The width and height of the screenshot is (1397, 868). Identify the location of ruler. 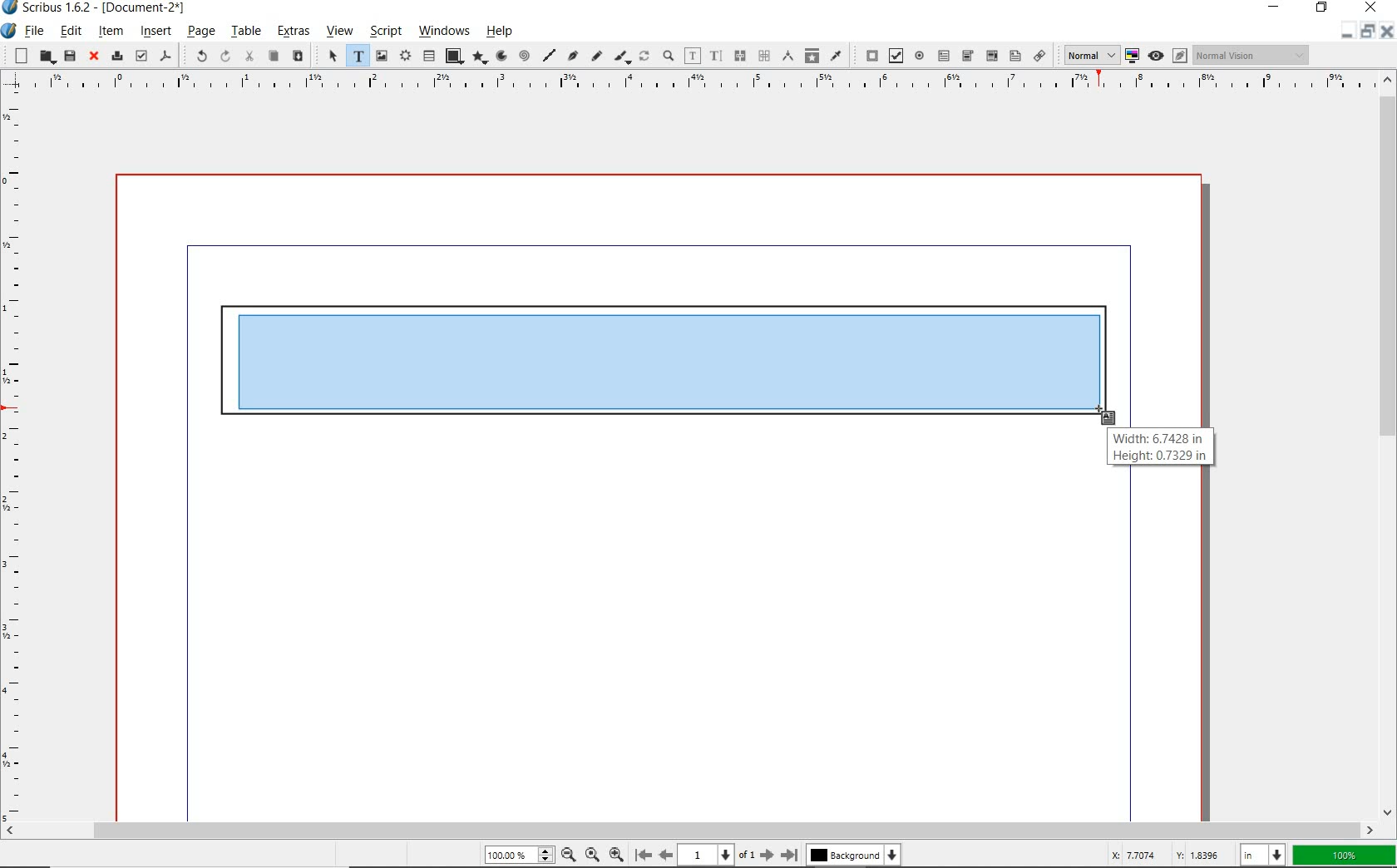
(16, 456).